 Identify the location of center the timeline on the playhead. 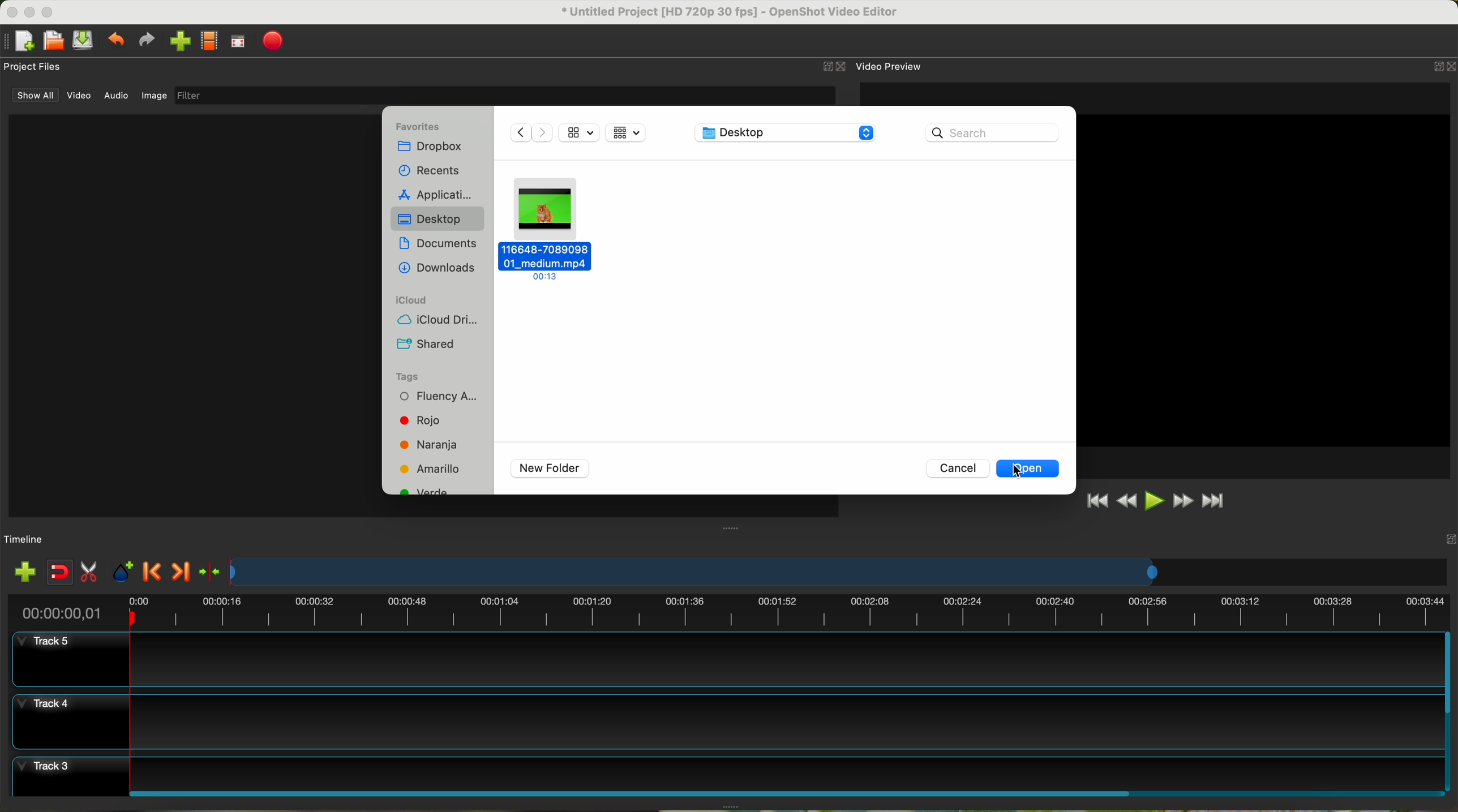
(211, 573).